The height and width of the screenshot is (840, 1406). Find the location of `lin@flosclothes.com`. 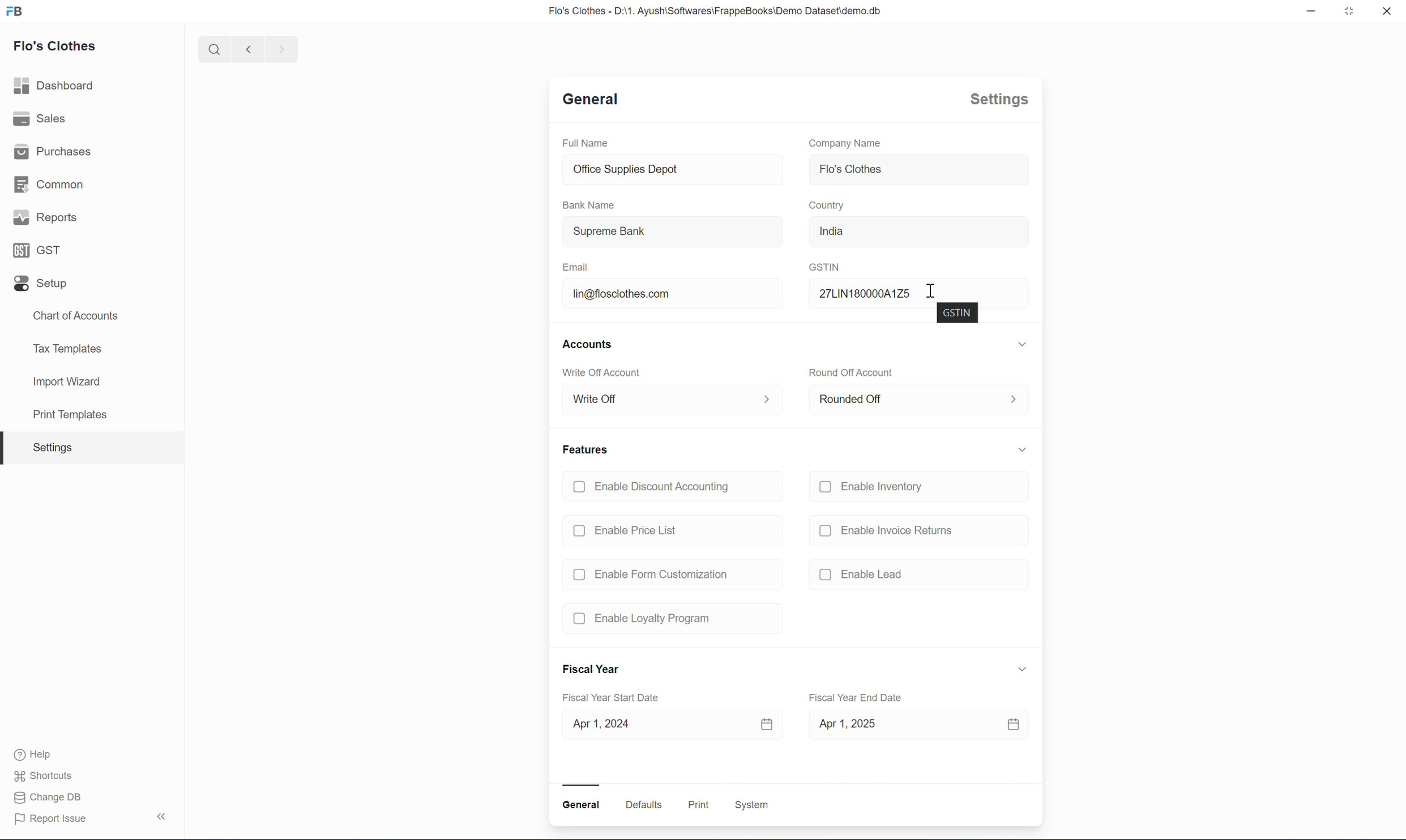

lin@flosclothes.com is located at coordinates (673, 294).